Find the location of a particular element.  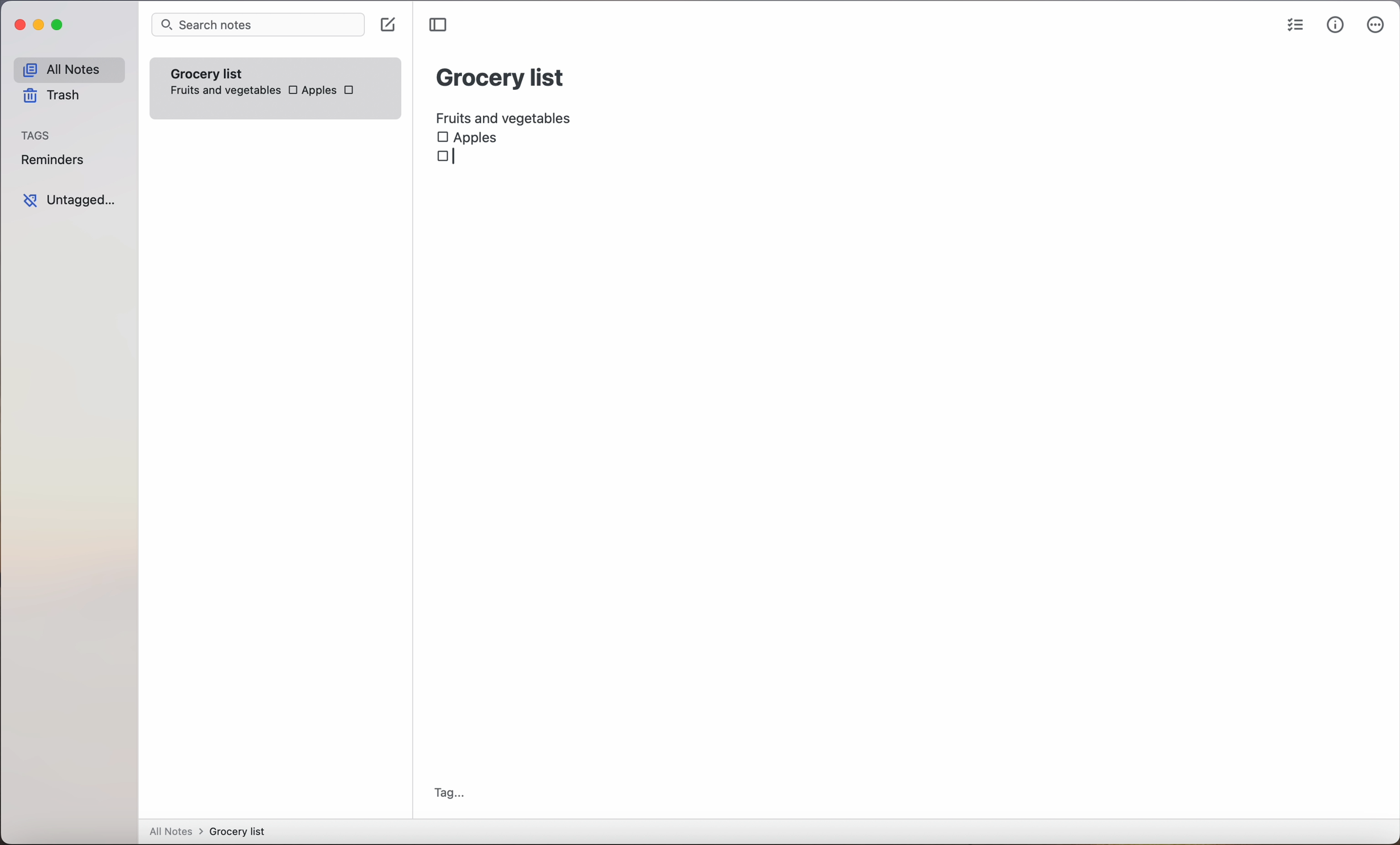

Apples checkbox is located at coordinates (468, 137).